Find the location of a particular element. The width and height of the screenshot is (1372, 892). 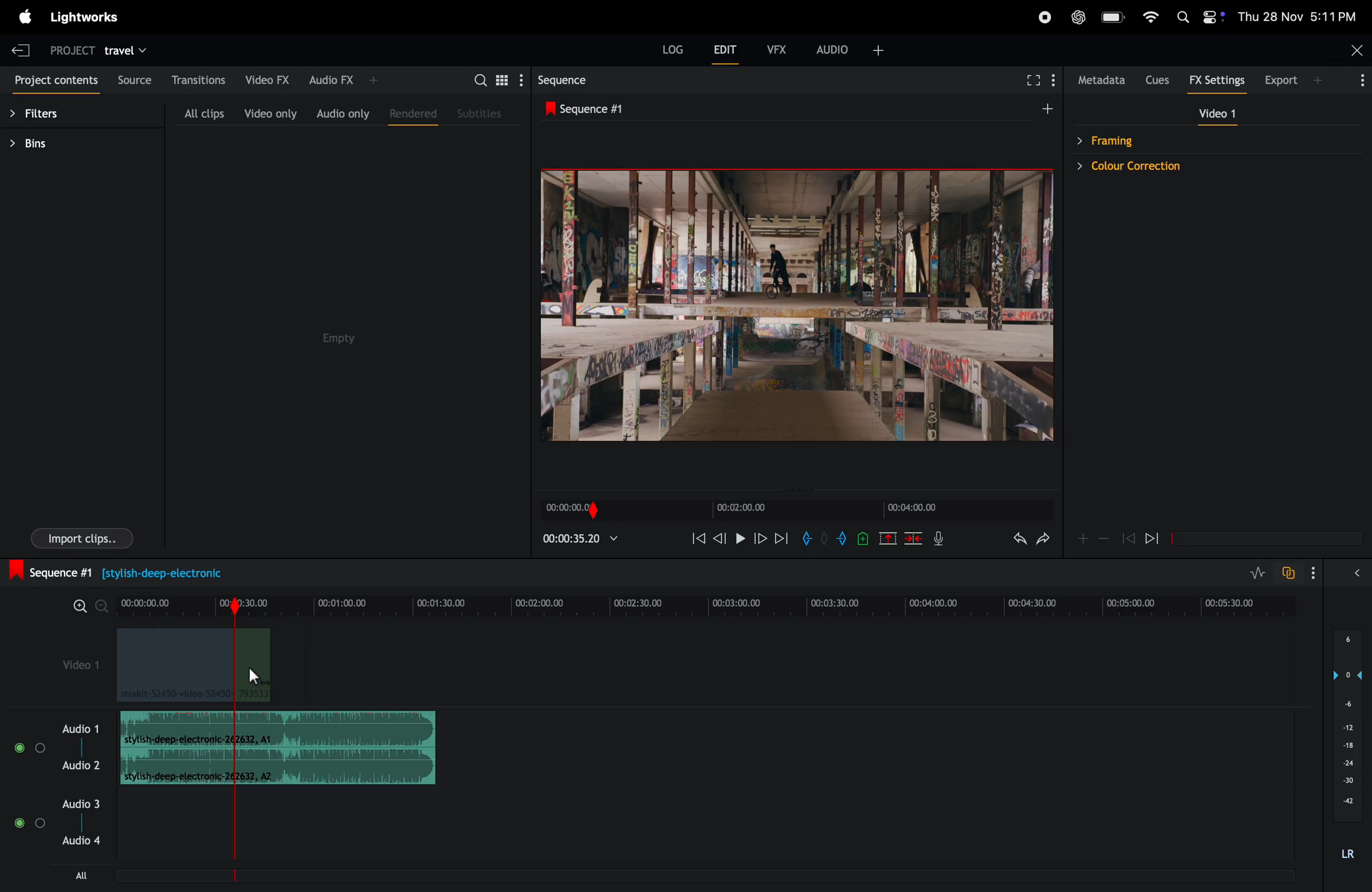

time frames is located at coordinates (706, 603).